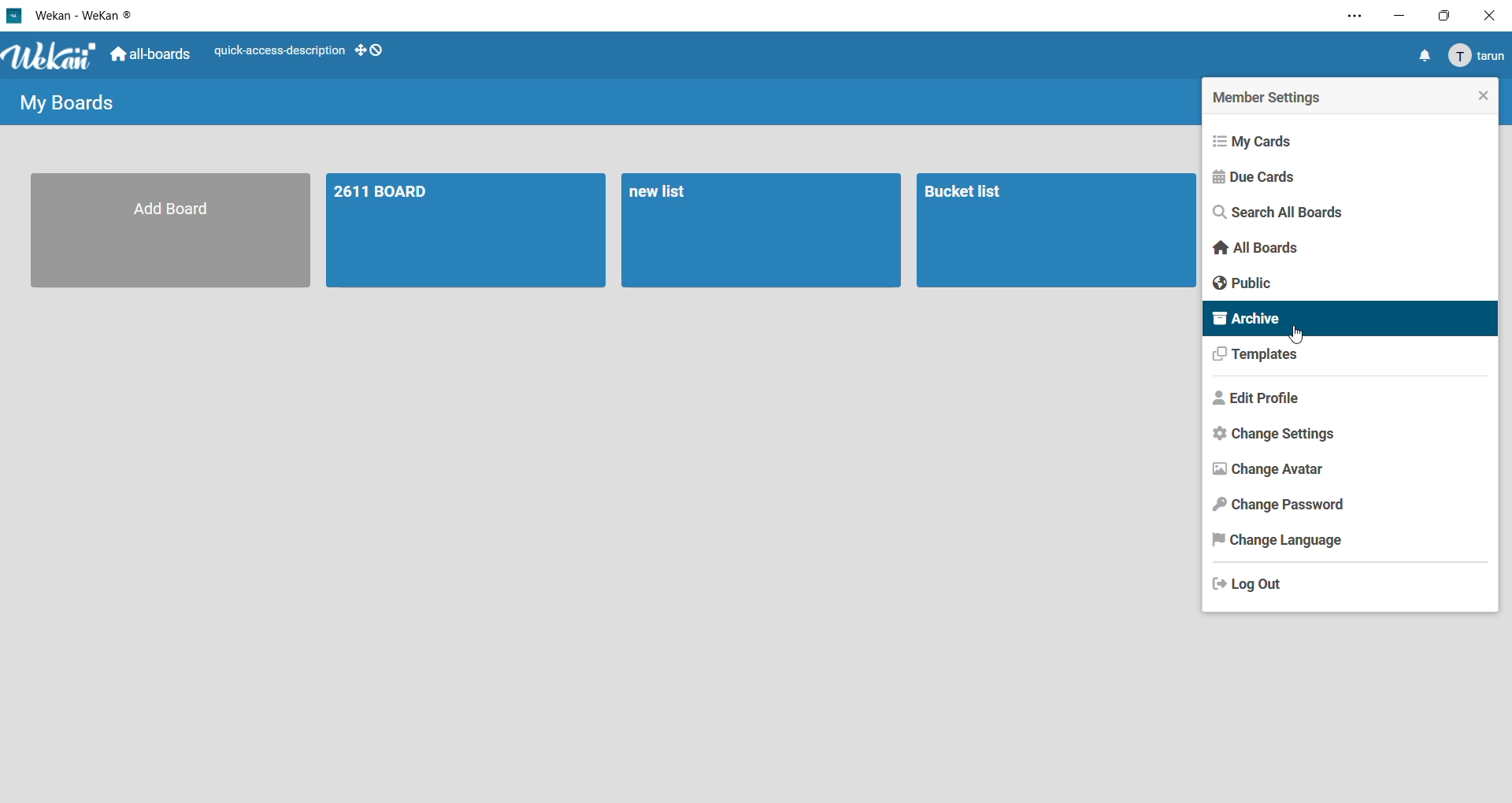  Describe the element at coordinates (152, 57) in the screenshot. I see `all boards` at that location.